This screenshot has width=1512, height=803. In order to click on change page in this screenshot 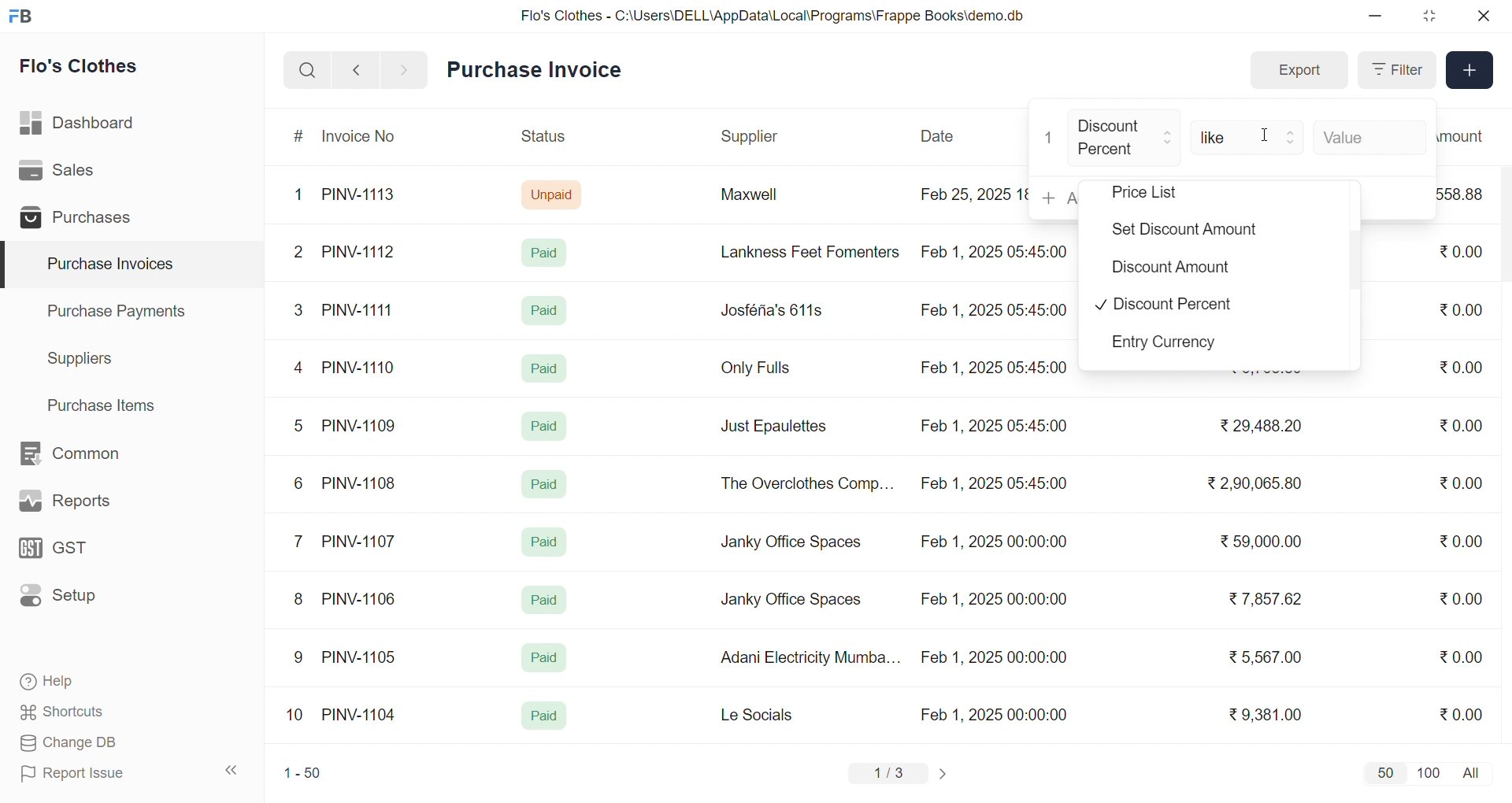, I will do `click(945, 773)`.